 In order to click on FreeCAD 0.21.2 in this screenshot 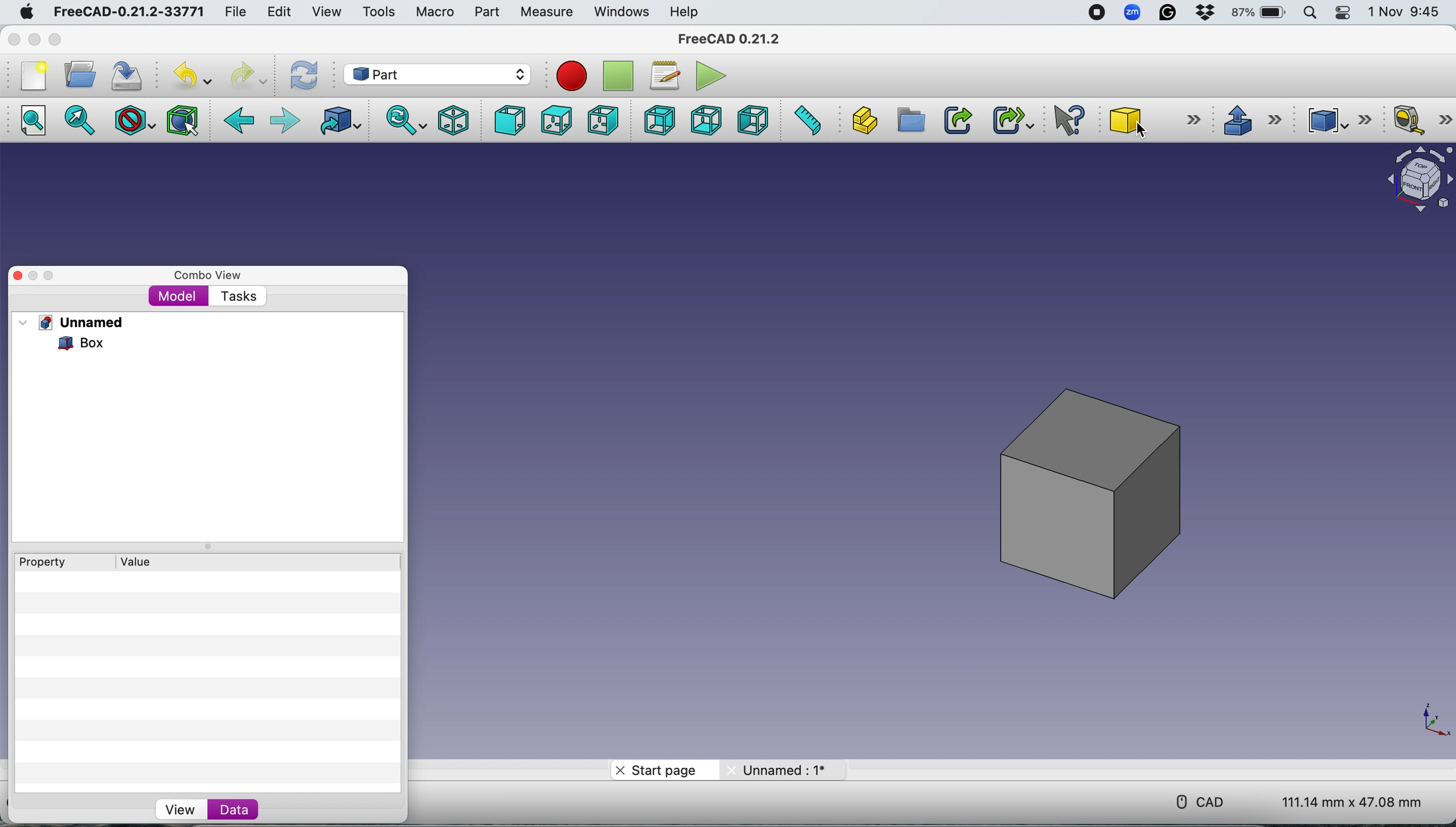, I will do `click(731, 40)`.